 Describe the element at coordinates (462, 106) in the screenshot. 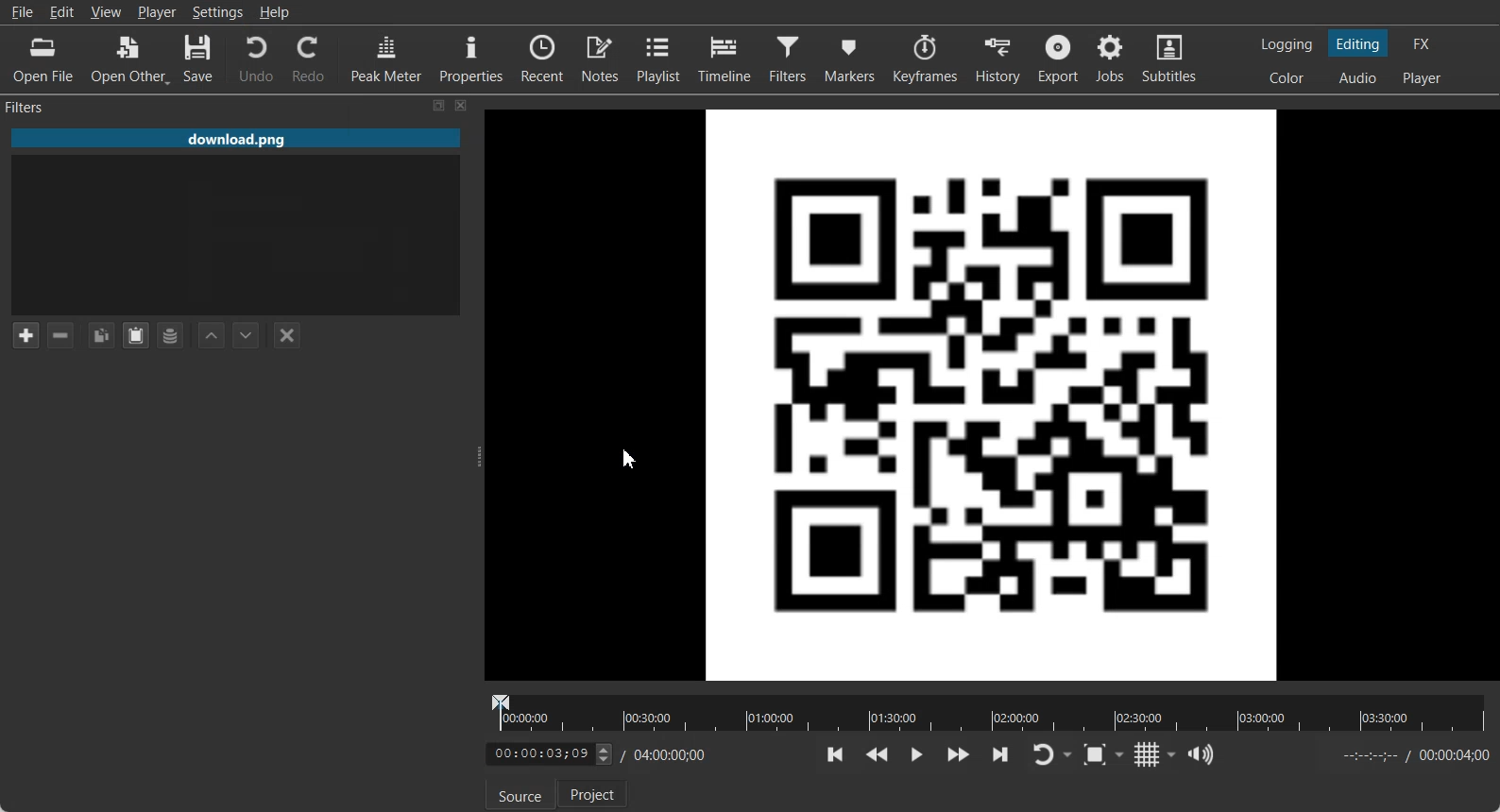

I see `Close` at that location.